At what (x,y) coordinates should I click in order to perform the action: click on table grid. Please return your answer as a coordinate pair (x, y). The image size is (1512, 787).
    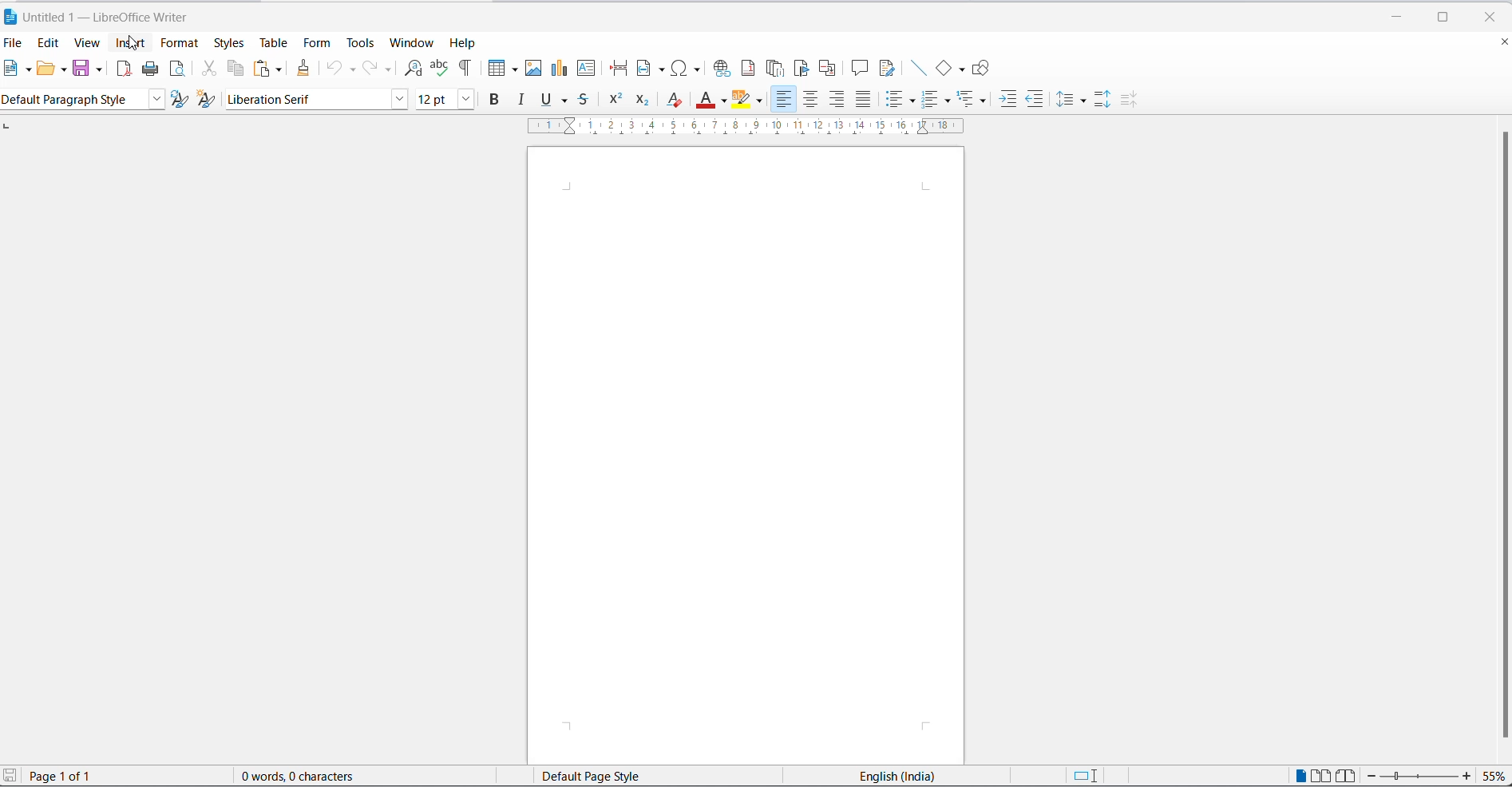
    Looking at the image, I should click on (513, 69).